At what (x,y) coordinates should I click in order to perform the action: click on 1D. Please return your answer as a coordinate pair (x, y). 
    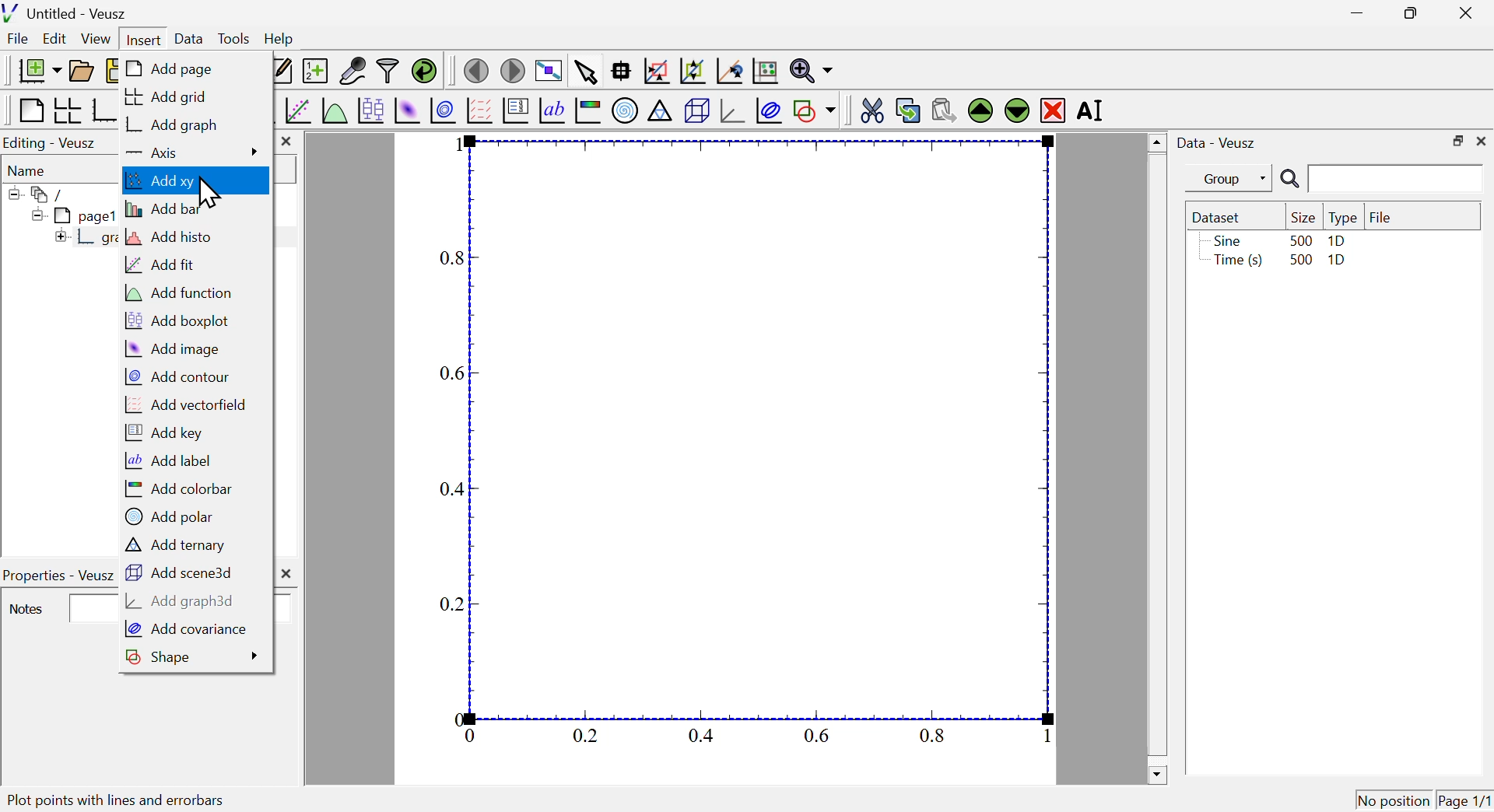
    Looking at the image, I should click on (1337, 241).